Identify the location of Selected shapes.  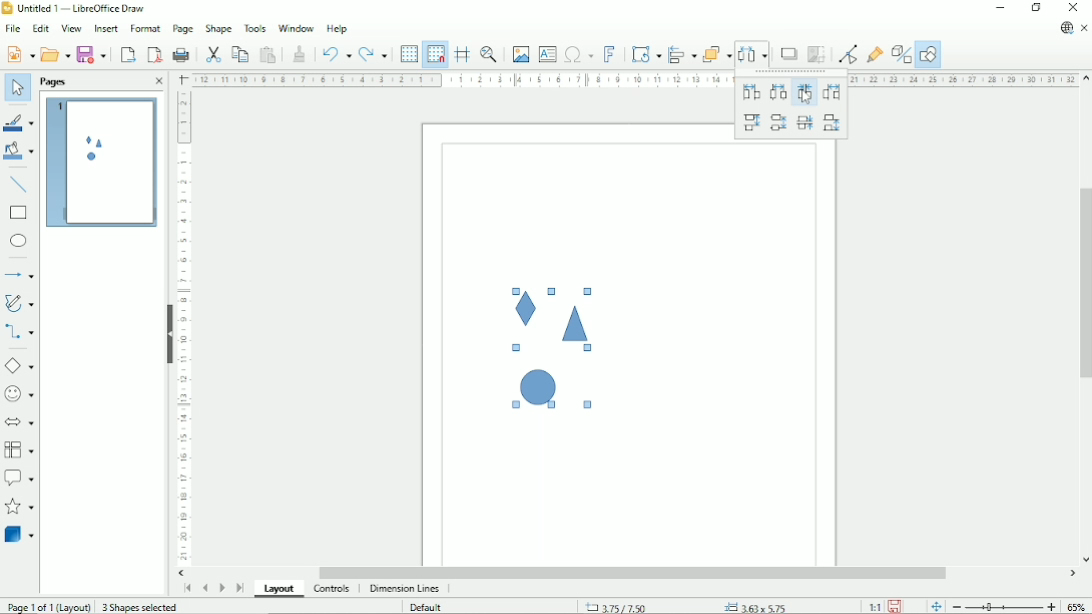
(540, 352).